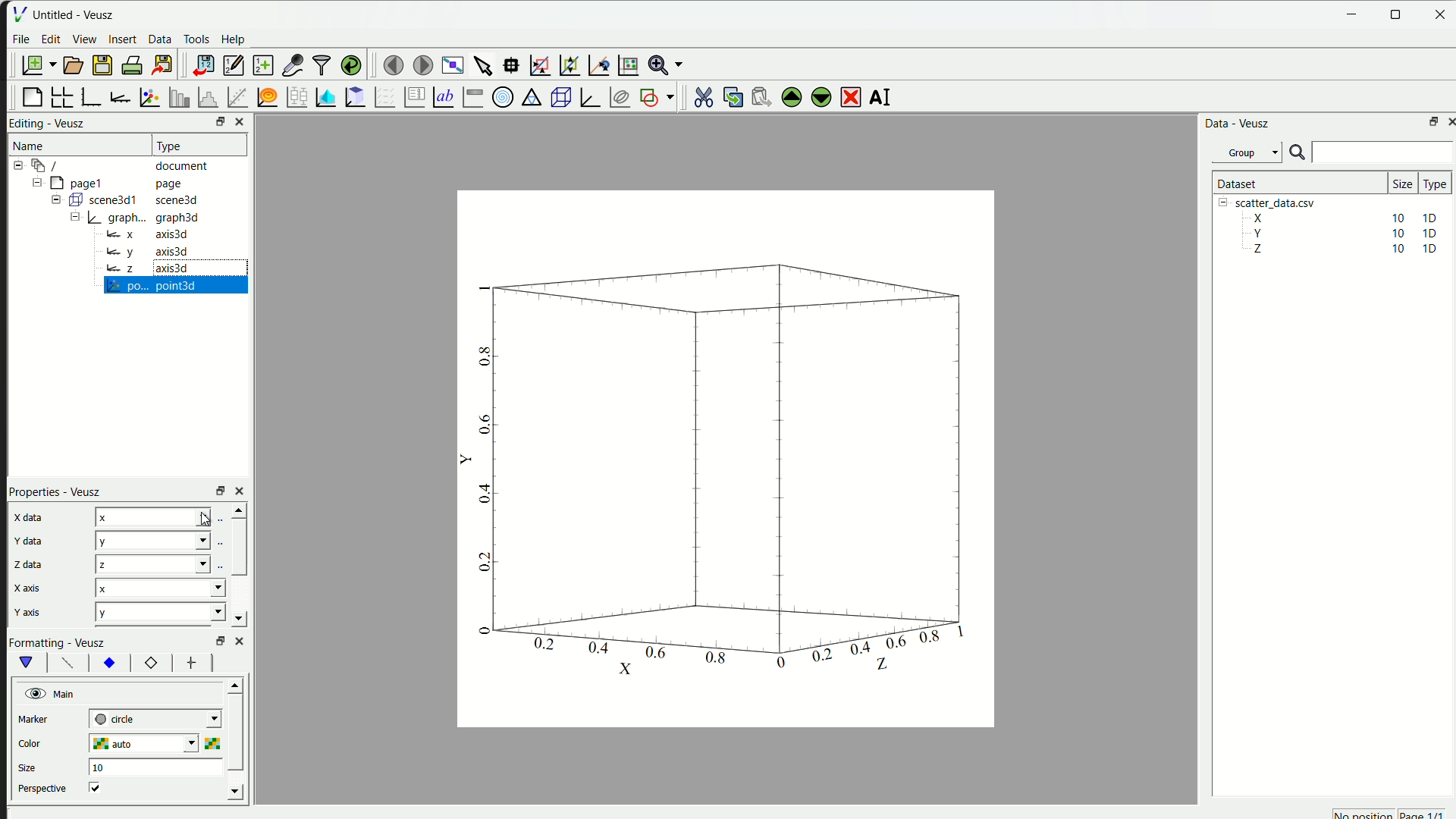 This screenshot has height=819, width=1456. Describe the element at coordinates (153, 287) in the screenshot. I see `po... point3d` at that location.